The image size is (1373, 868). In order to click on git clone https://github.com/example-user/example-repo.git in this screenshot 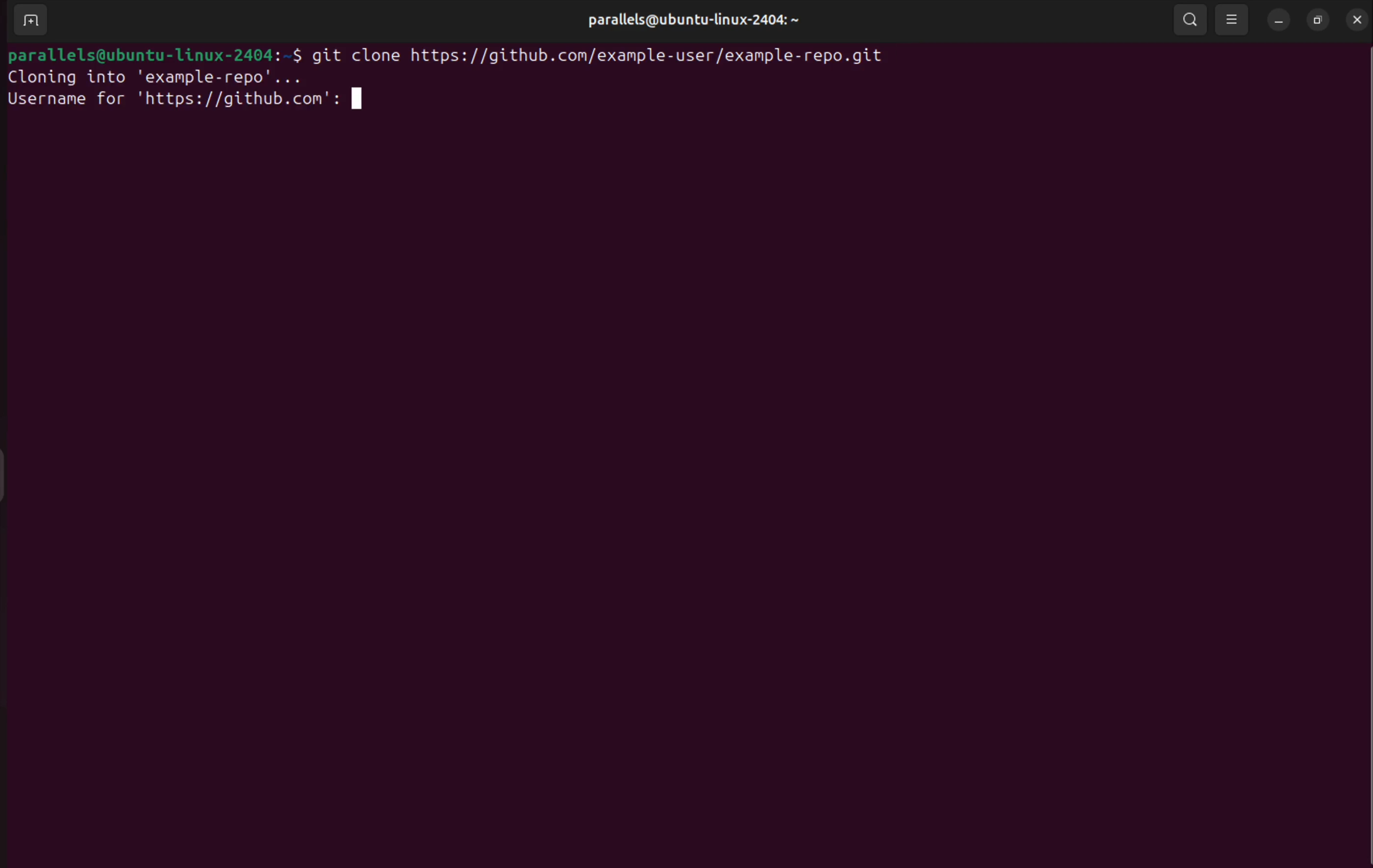, I will do `click(613, 55)`.